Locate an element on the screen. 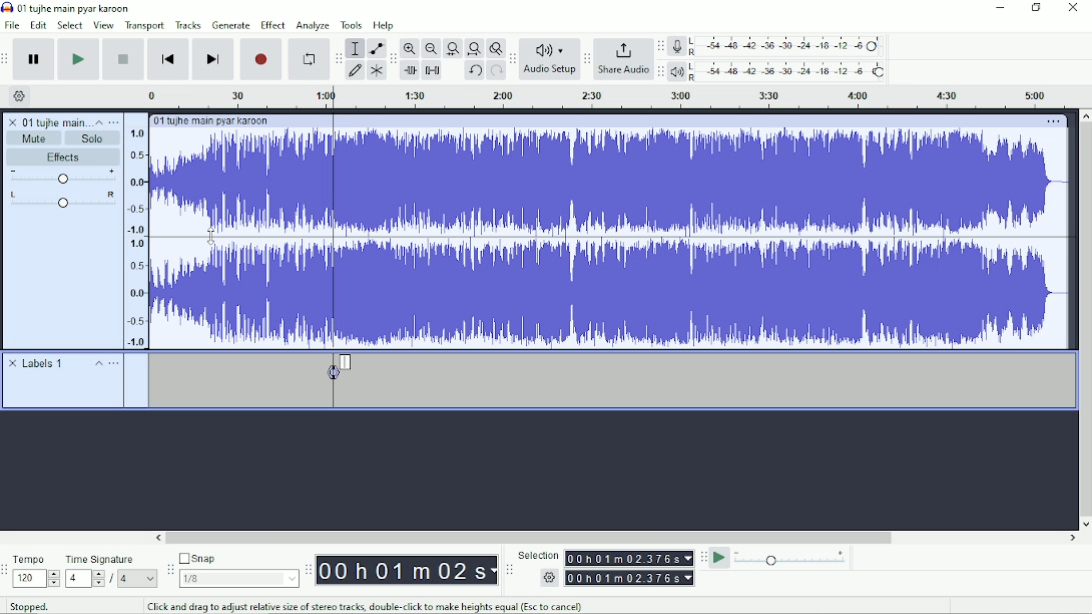  Generate is located at coordinates (231, 25).